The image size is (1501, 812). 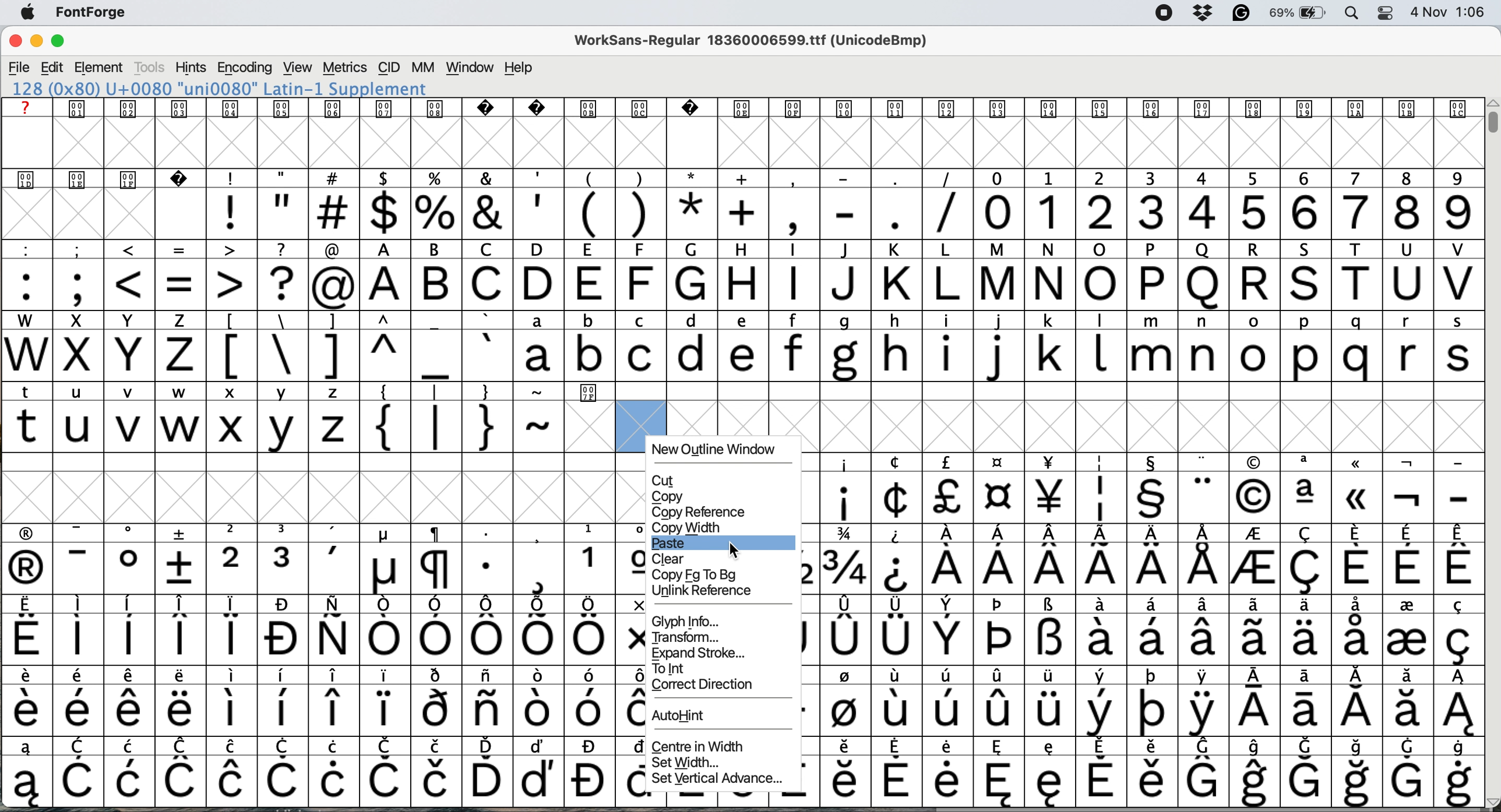 What do you see at coordinates (234, 89) in the screenshot?
I see `alpha numeric string` at bounding box center [234, 89].